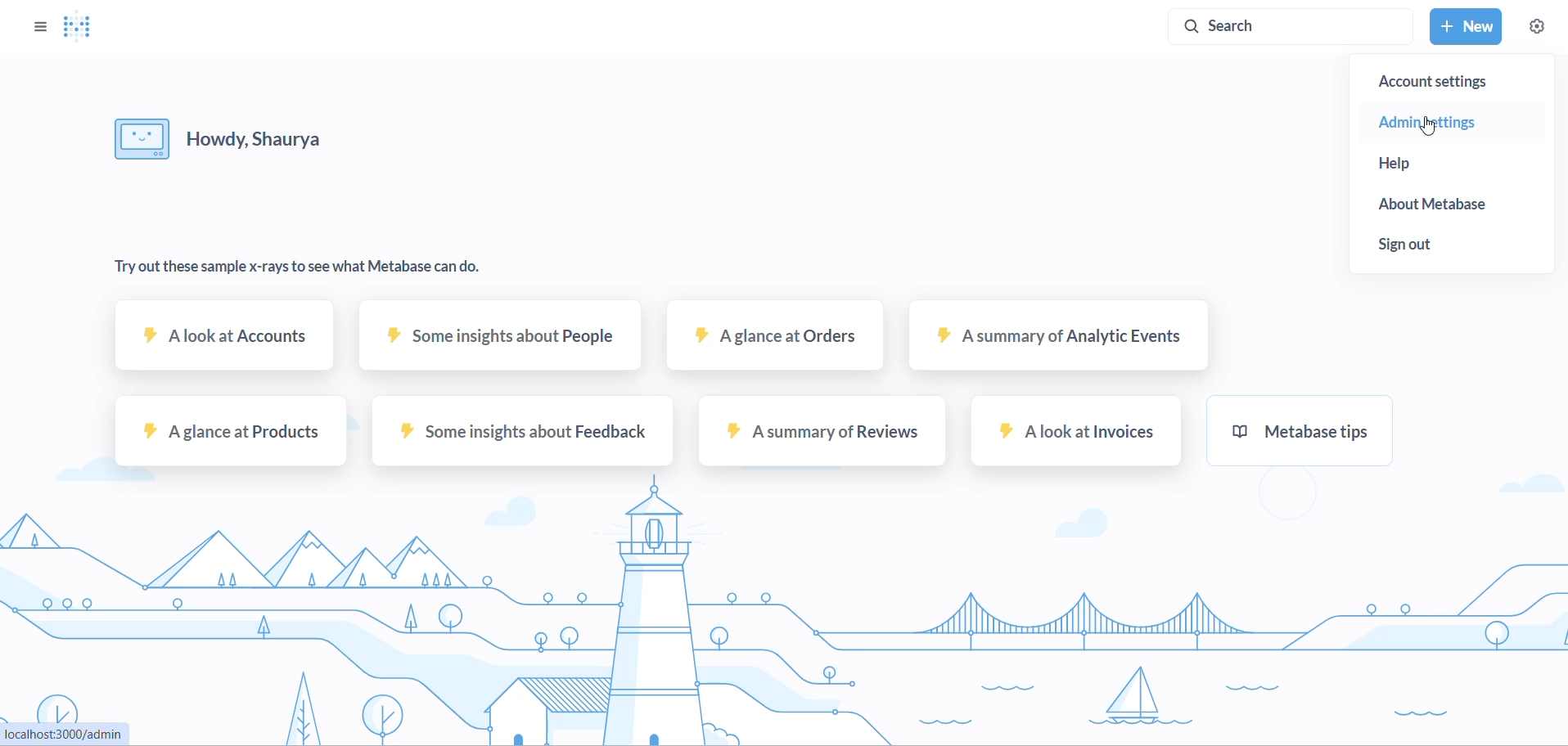 This screenshot has height=746, width=1568. I want to click on some insights about people sample, so click(497, 344).